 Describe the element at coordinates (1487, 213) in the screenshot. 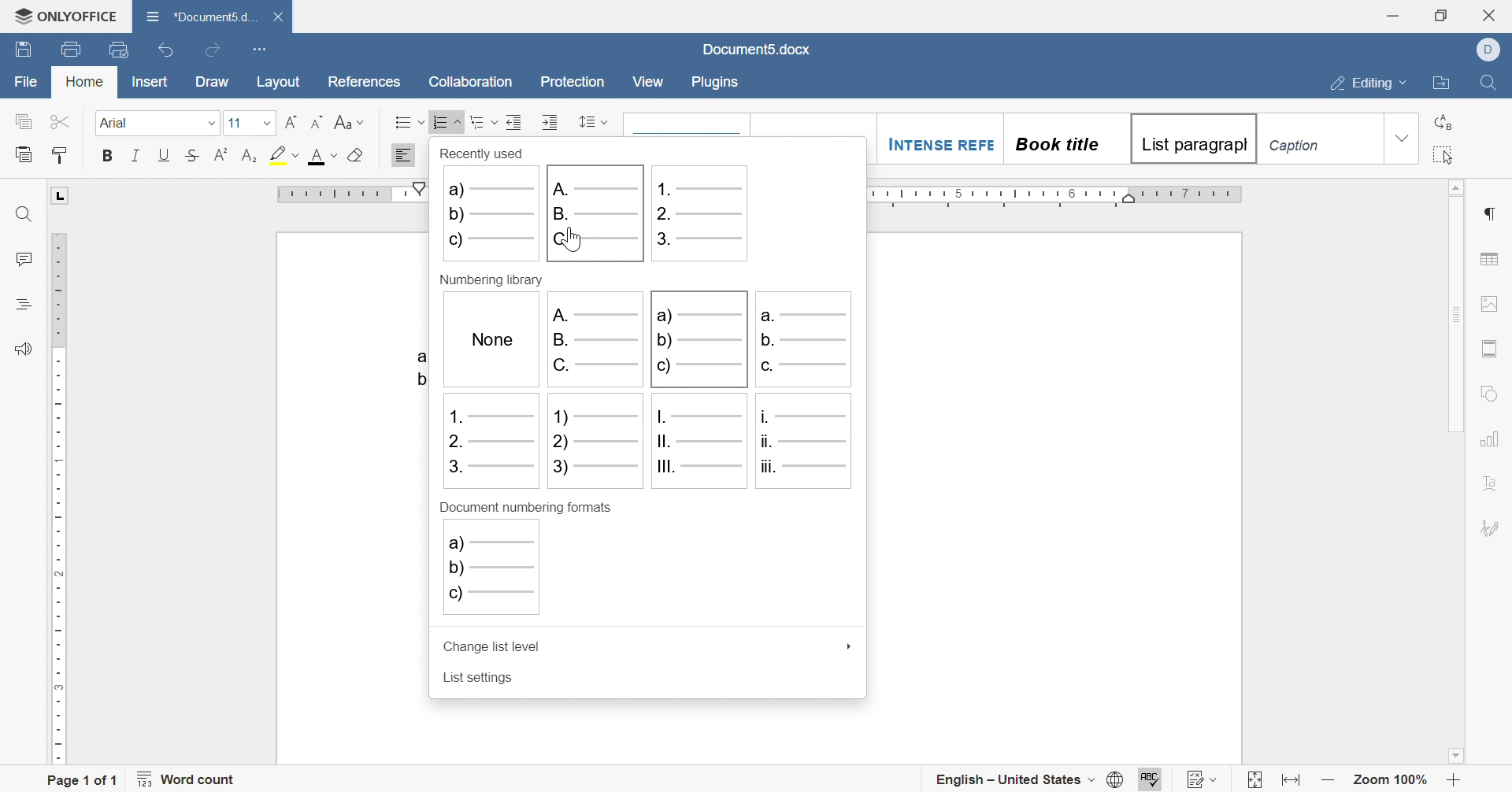

I see `paragraph` at that location.